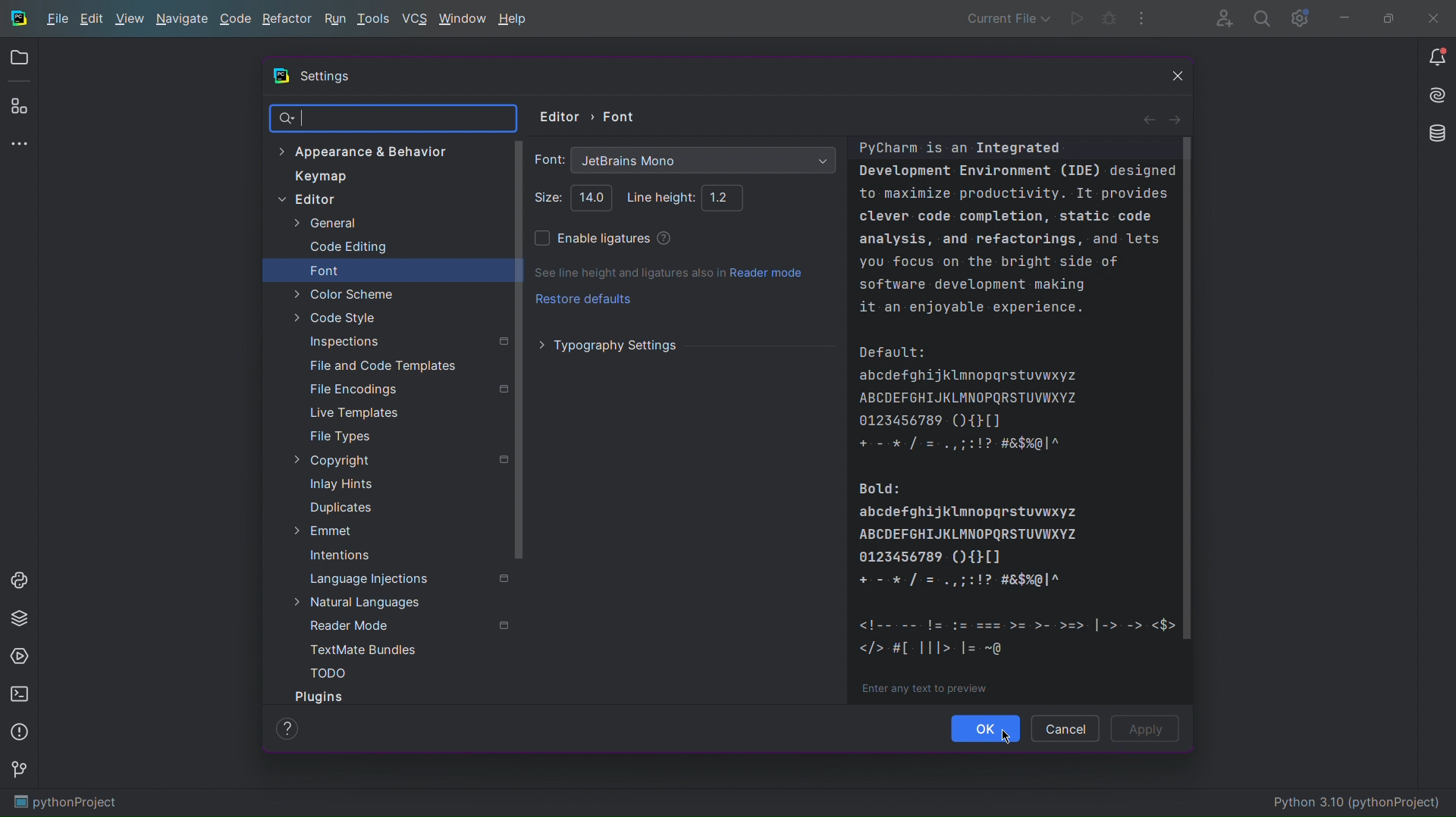 The width and height of the screenshot is (1456, 817). I want to click on File Types, so click(340, 437).